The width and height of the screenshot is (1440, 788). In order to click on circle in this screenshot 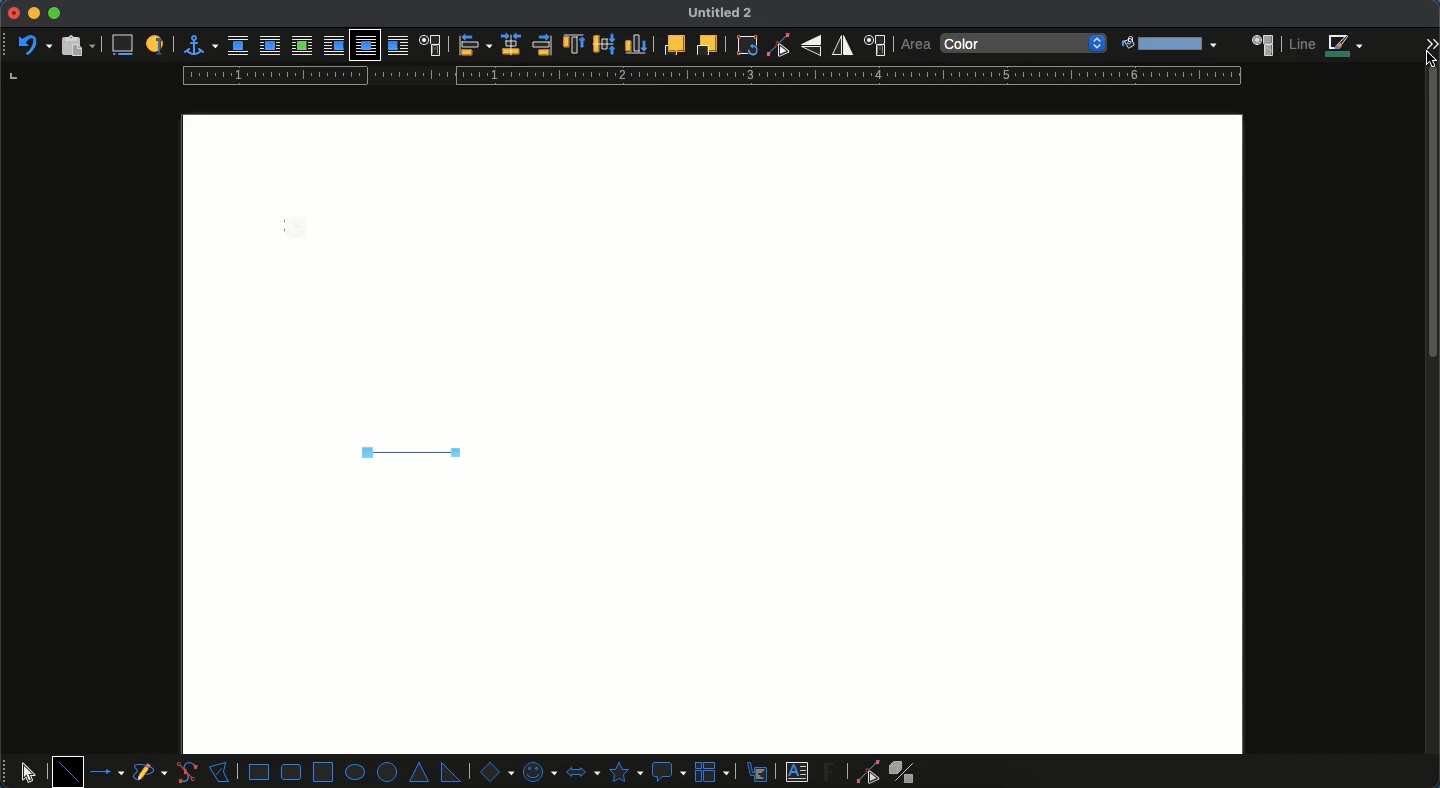, I will do `click(389, 773)`.